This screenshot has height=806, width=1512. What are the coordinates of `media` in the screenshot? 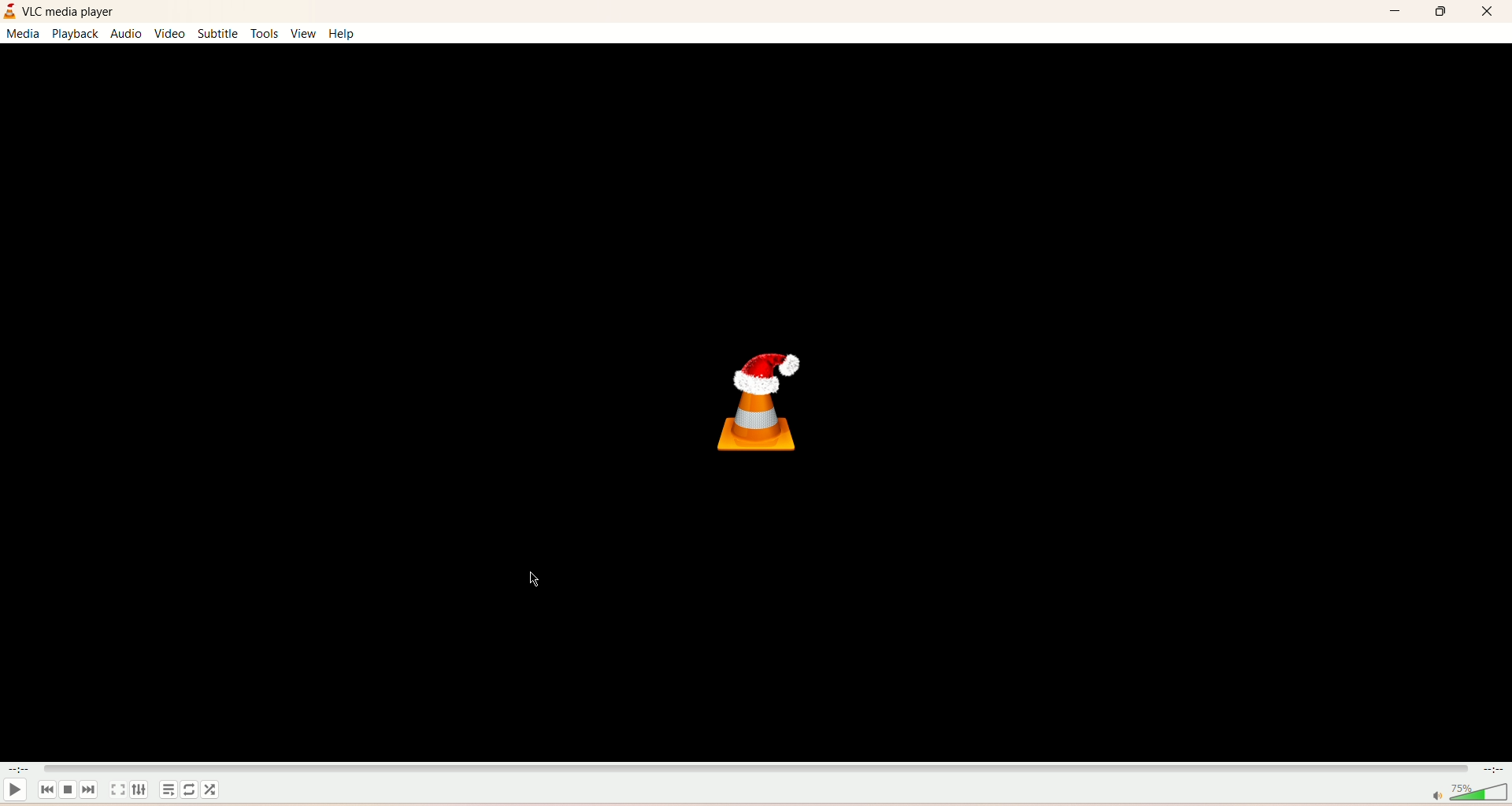 It's located at (21, 34).